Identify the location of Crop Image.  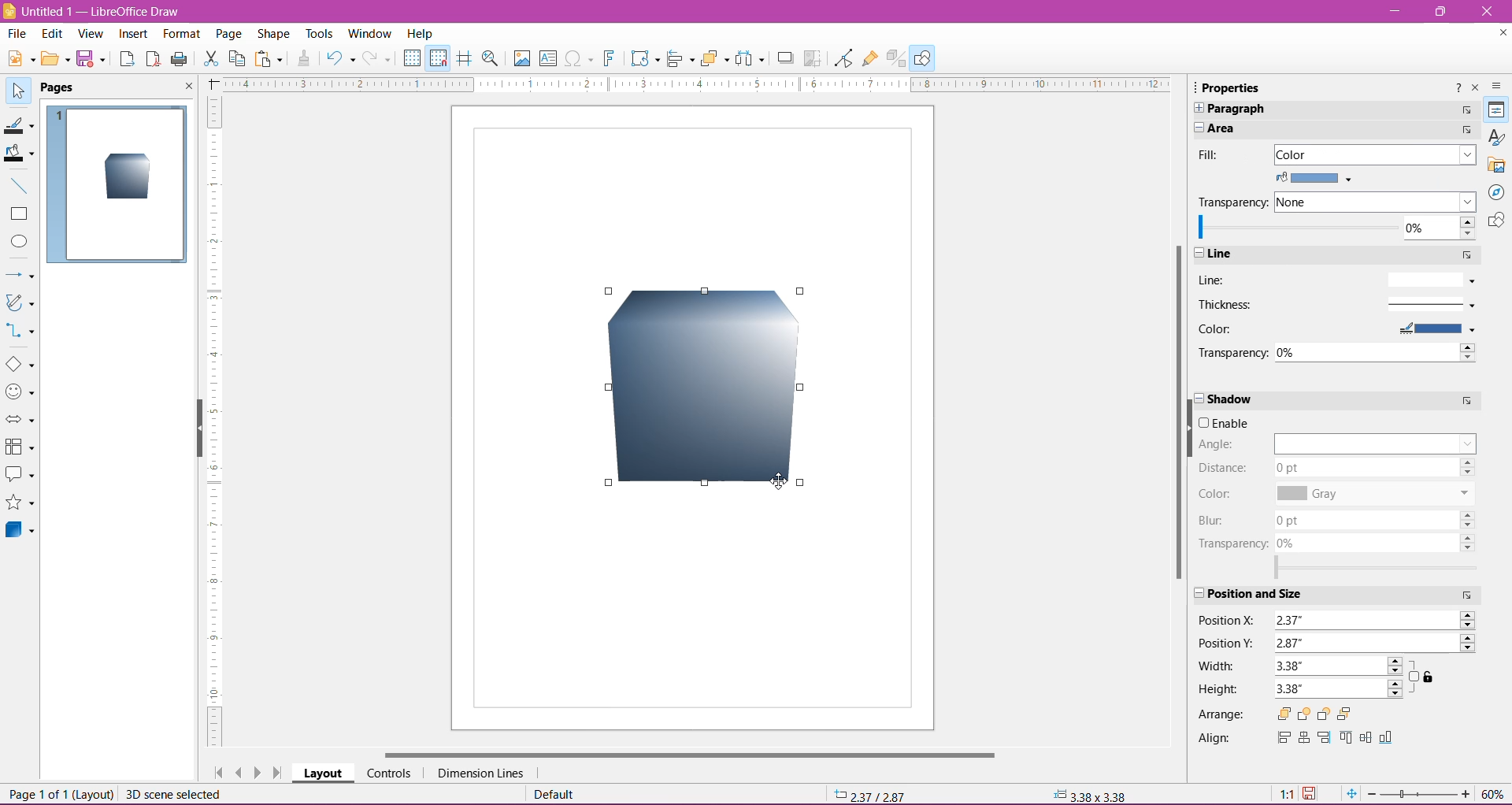
(813, 58).